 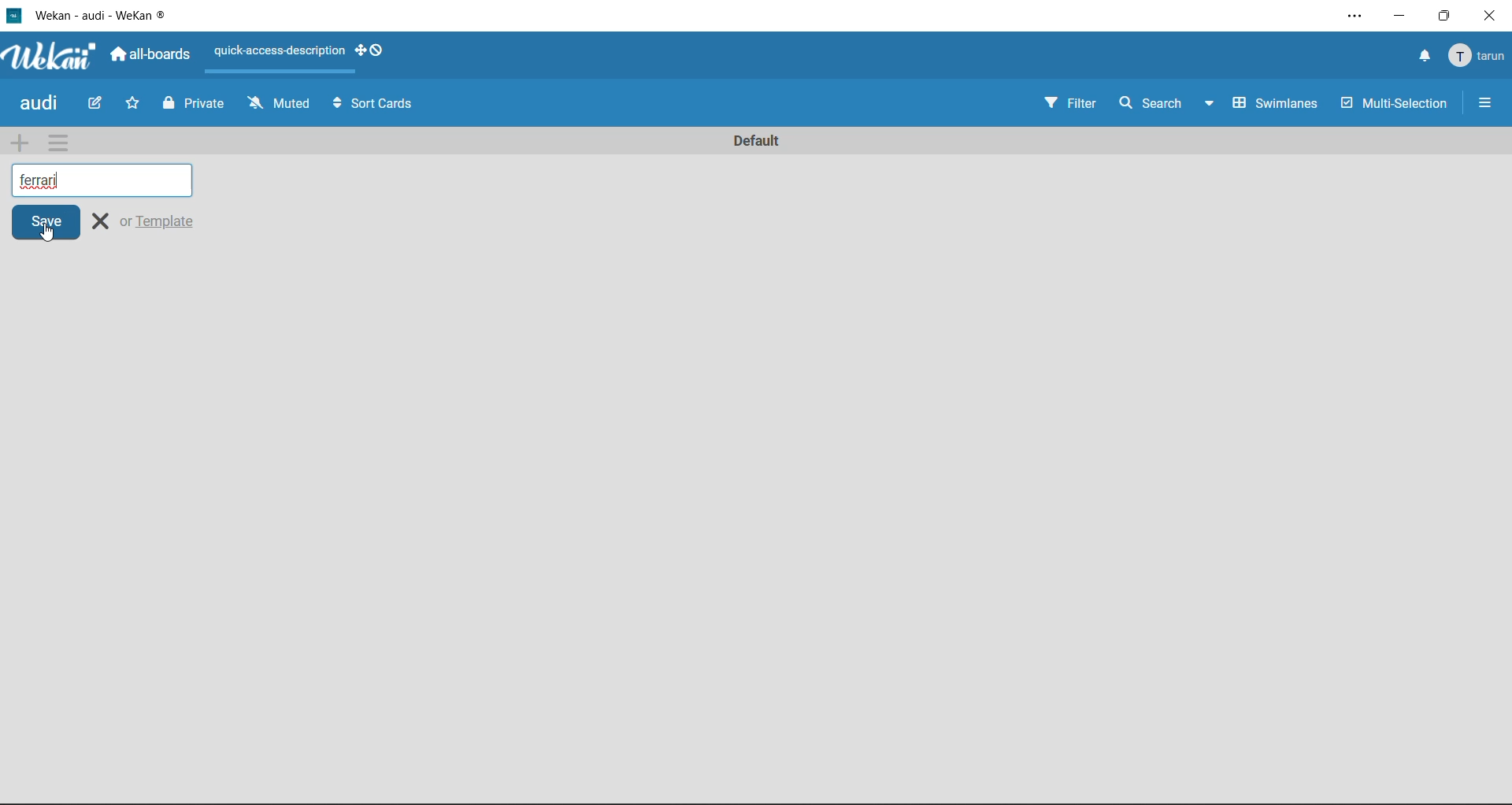 I want to click on swimlanes, so click(x=1277, y=103).